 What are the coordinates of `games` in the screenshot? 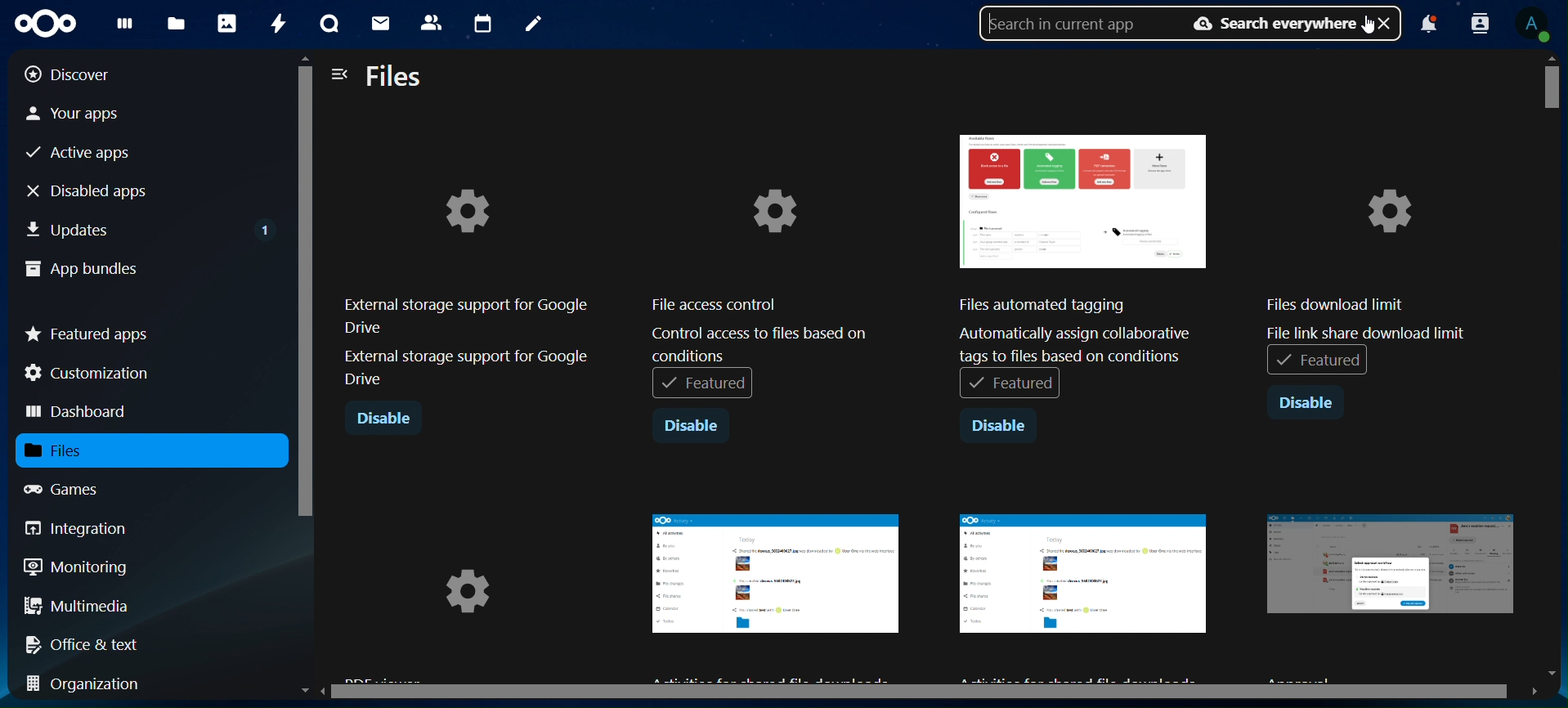 It's located at (77, 489).